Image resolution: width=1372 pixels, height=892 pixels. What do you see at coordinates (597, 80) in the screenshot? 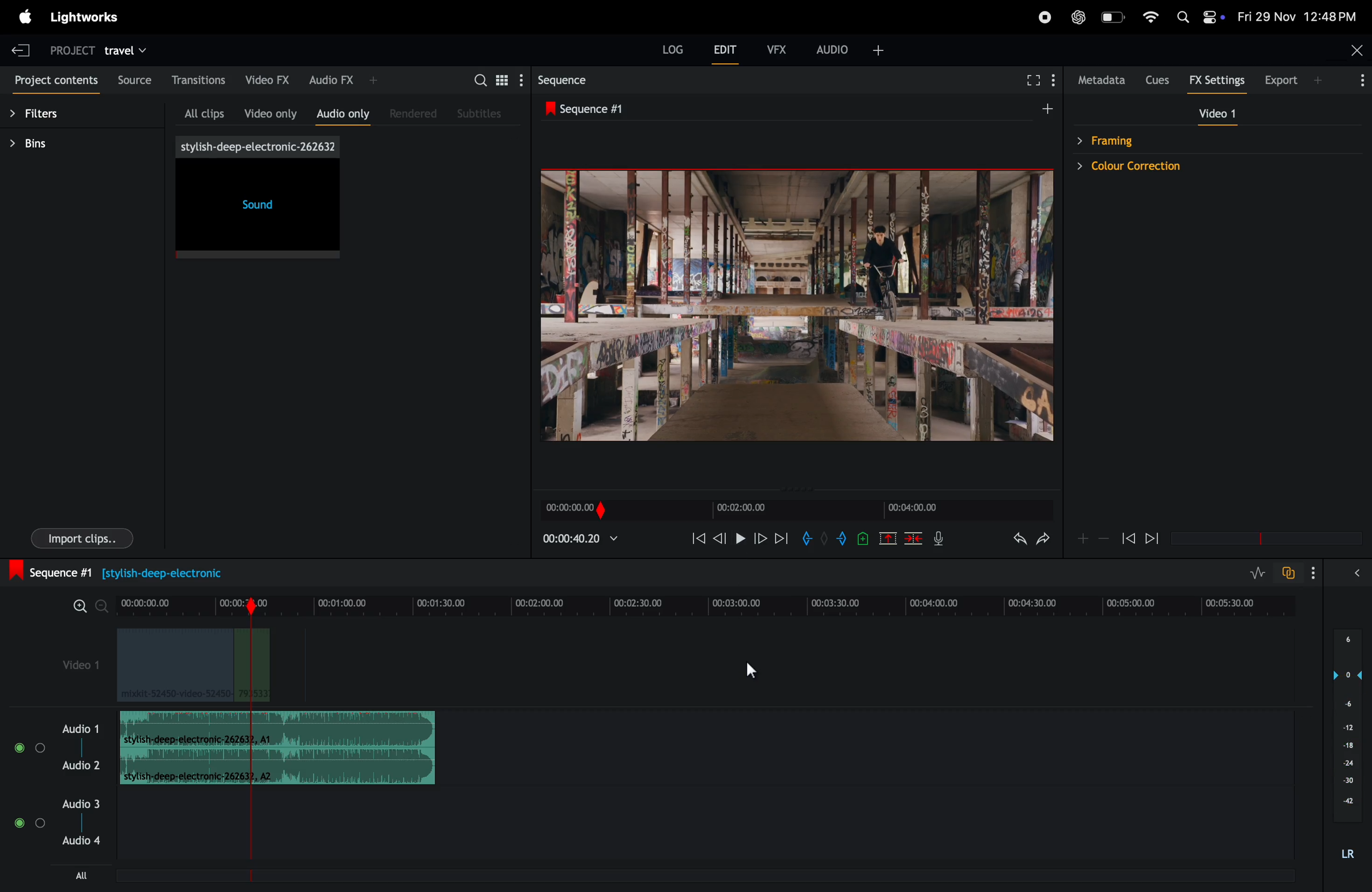
I see `sequence` at bounding box center [597, 80].